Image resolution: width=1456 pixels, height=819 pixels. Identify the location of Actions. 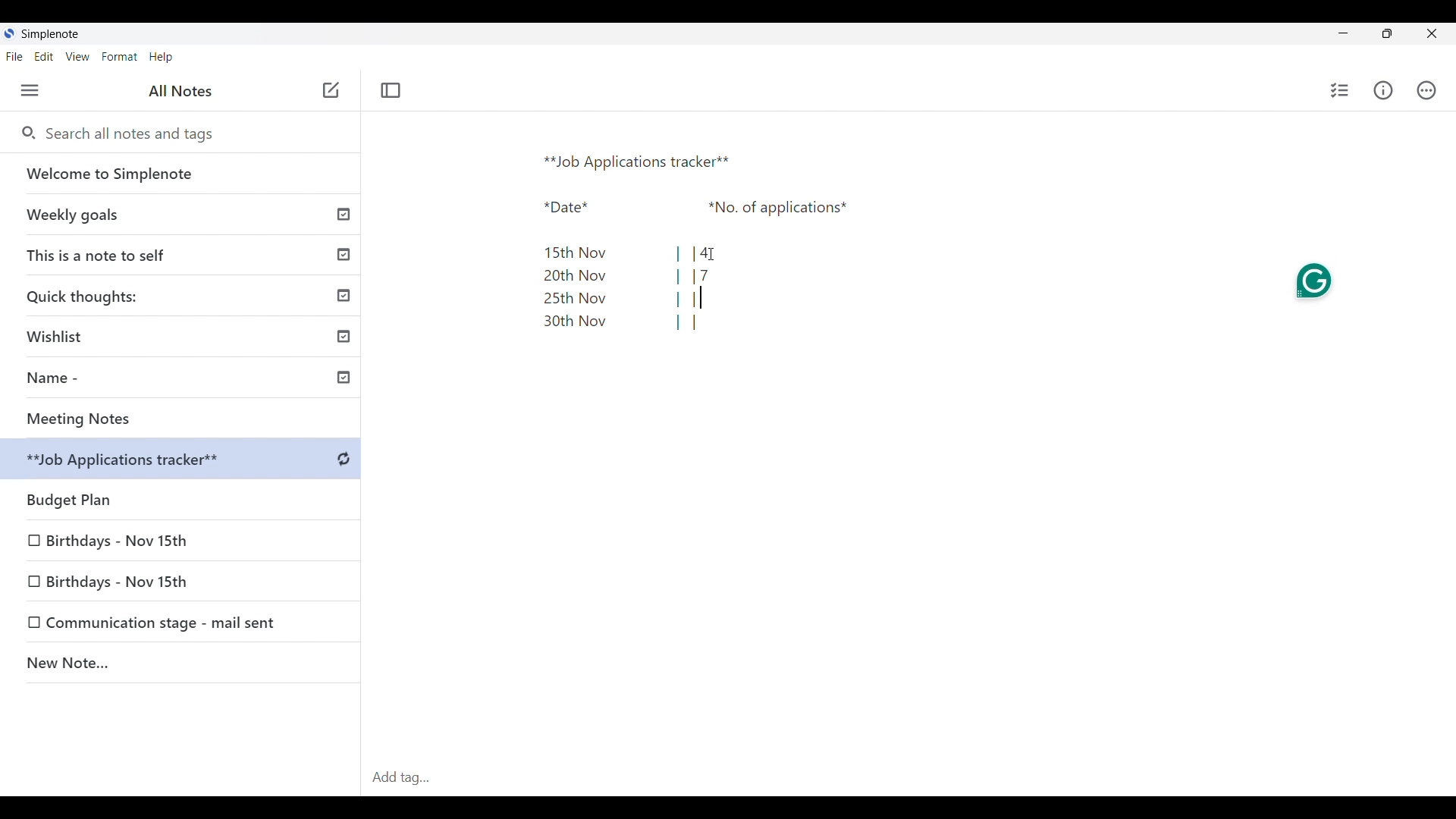
(1426, 90).